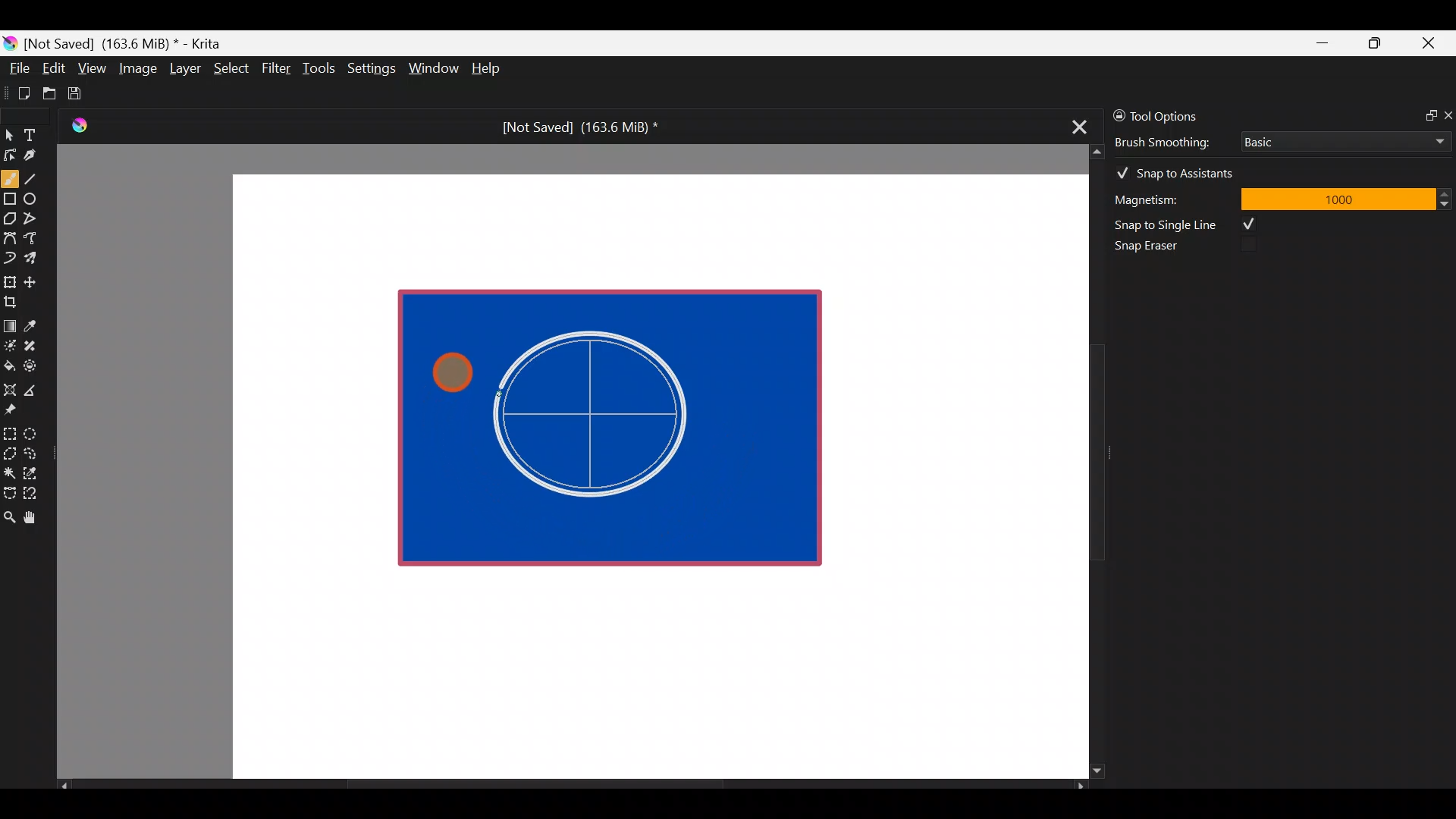  I want to click on Select, so click(232, 67).